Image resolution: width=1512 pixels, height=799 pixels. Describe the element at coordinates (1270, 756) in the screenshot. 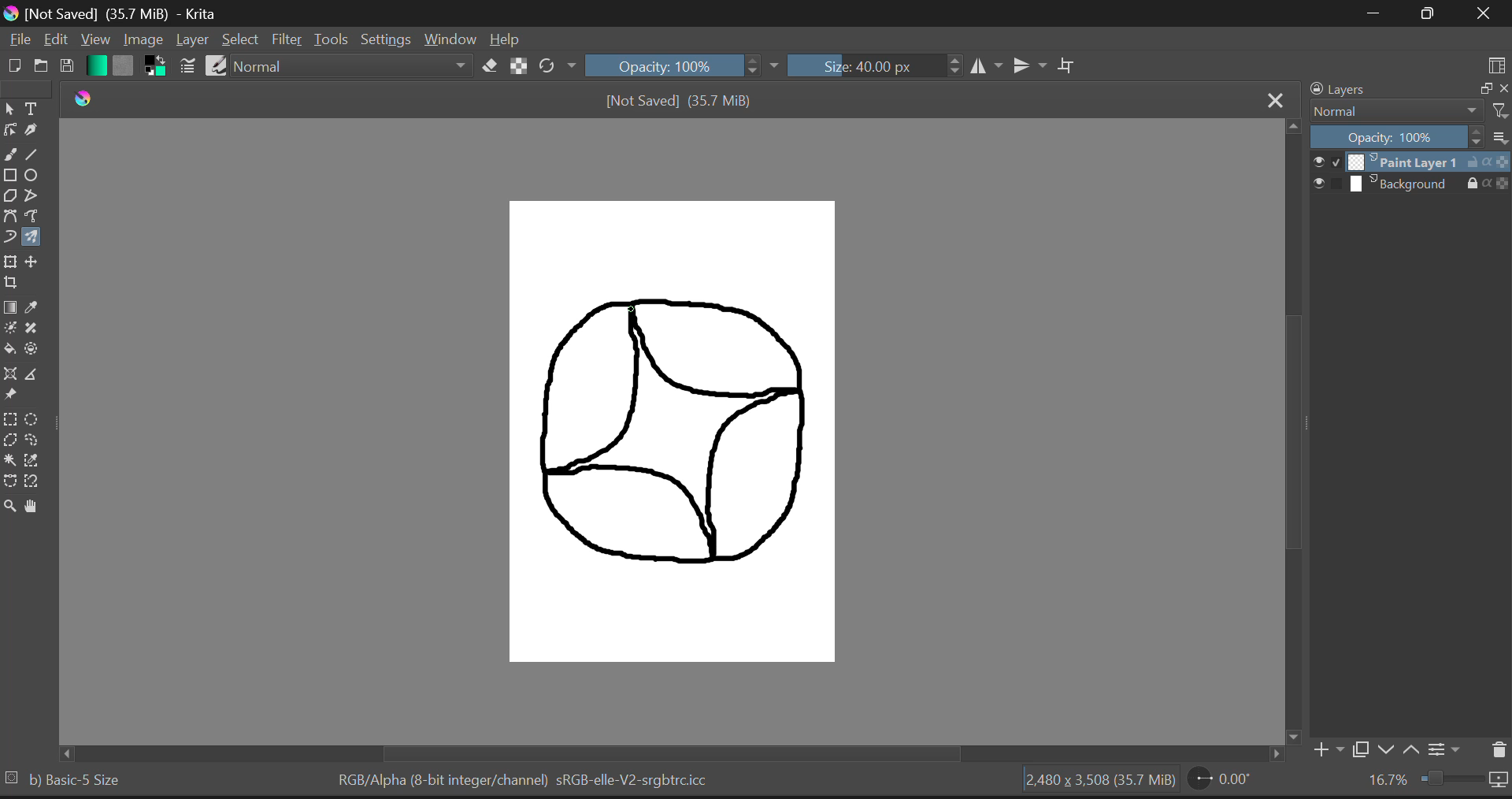

I see `` at that location.